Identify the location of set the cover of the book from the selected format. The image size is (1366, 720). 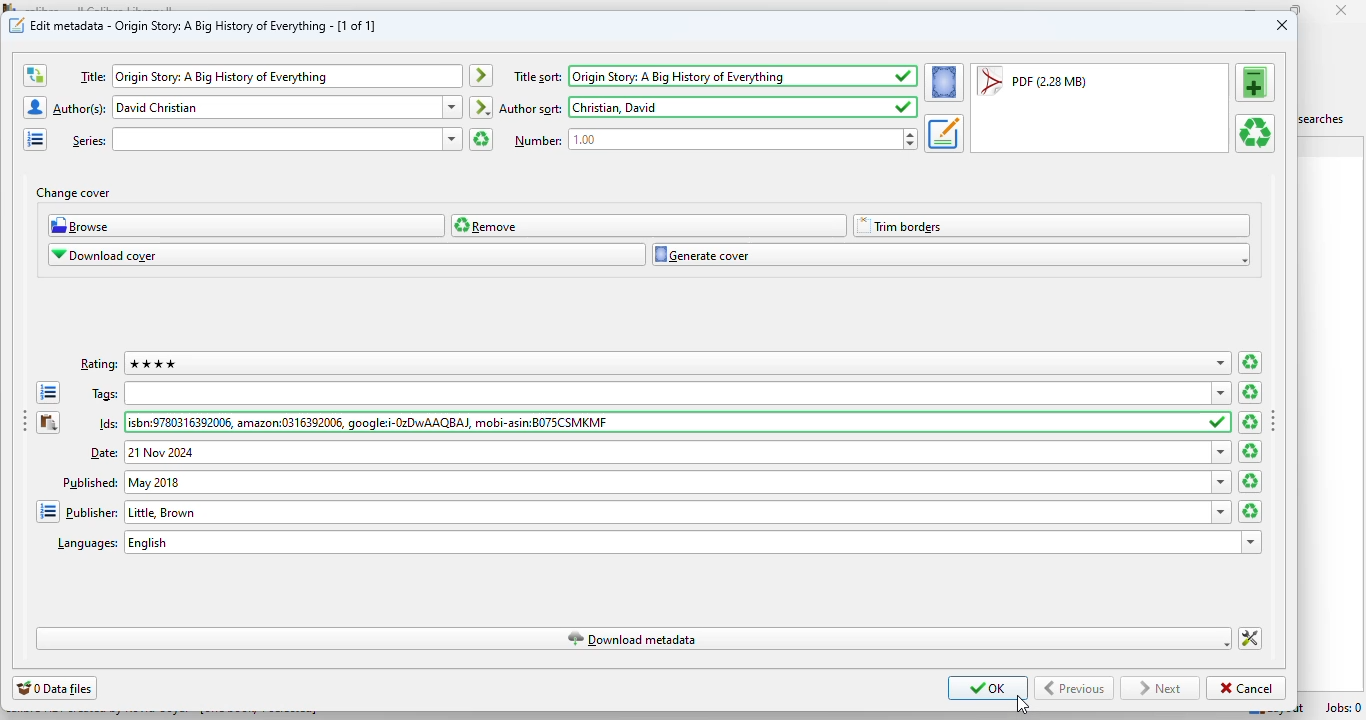
(945, 82).